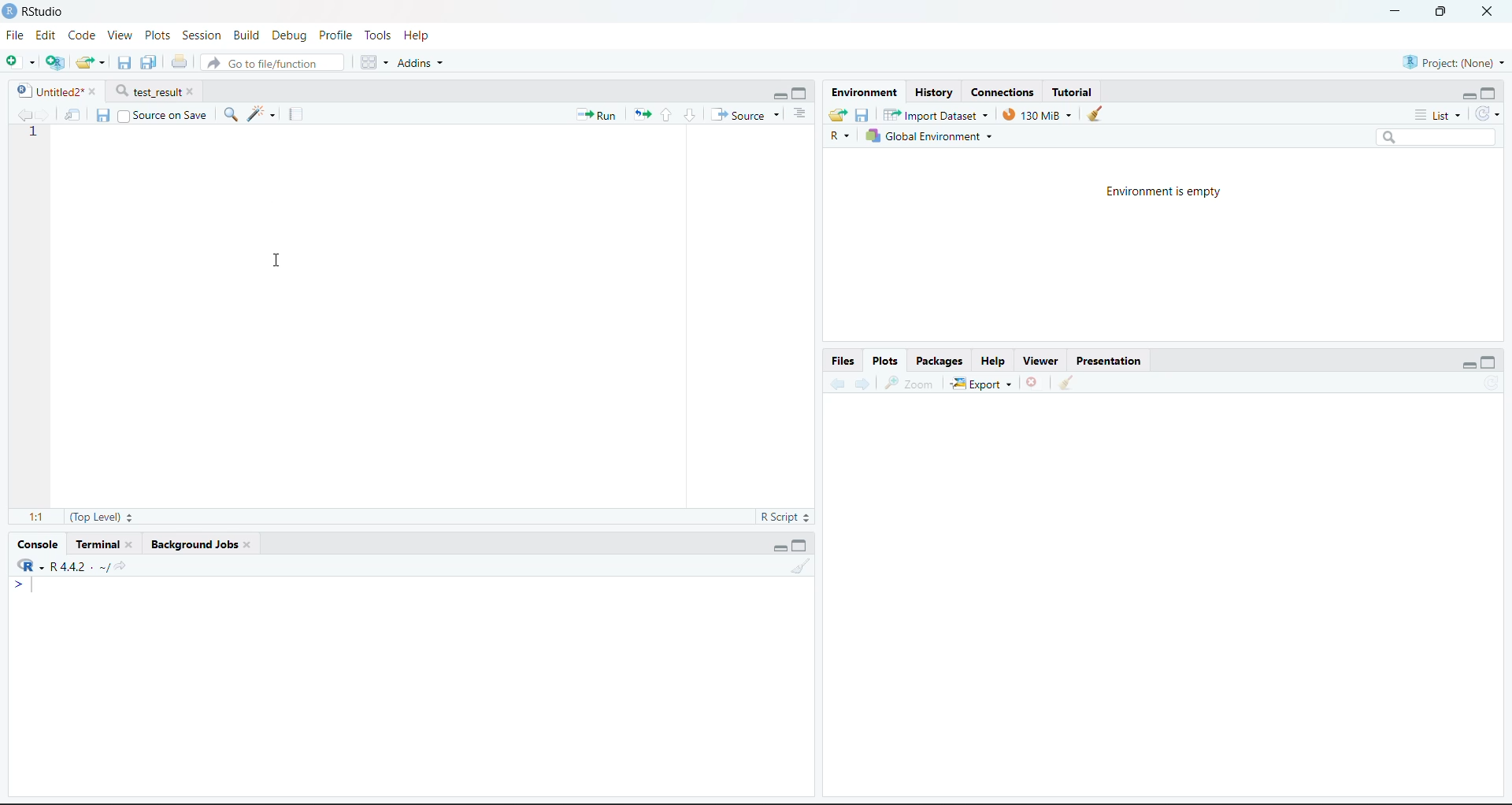  I want to click on Maximize, so click(799, 93).